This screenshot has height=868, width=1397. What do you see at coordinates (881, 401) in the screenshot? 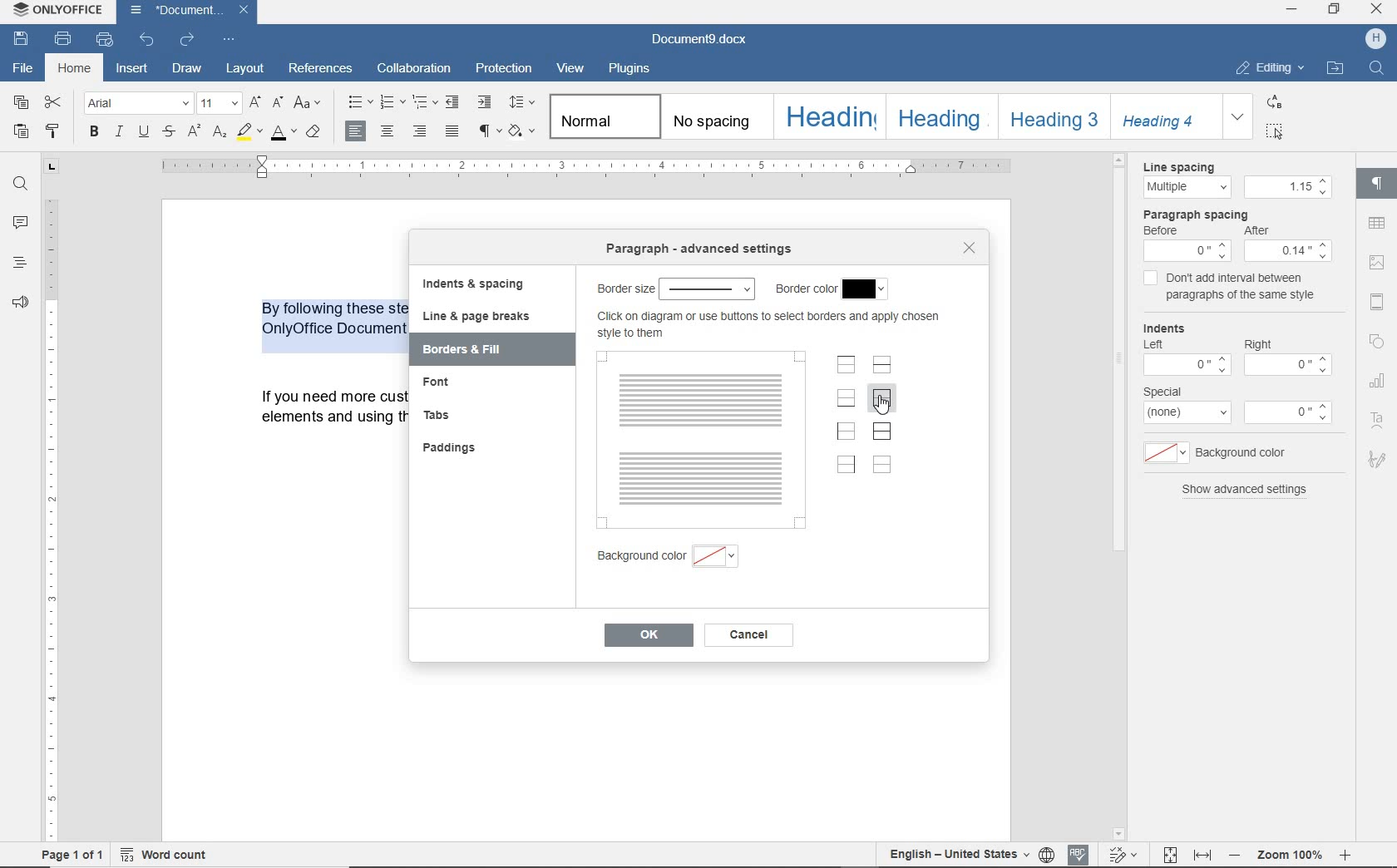
I see `set outer border only` at bounding box center [881, 401].